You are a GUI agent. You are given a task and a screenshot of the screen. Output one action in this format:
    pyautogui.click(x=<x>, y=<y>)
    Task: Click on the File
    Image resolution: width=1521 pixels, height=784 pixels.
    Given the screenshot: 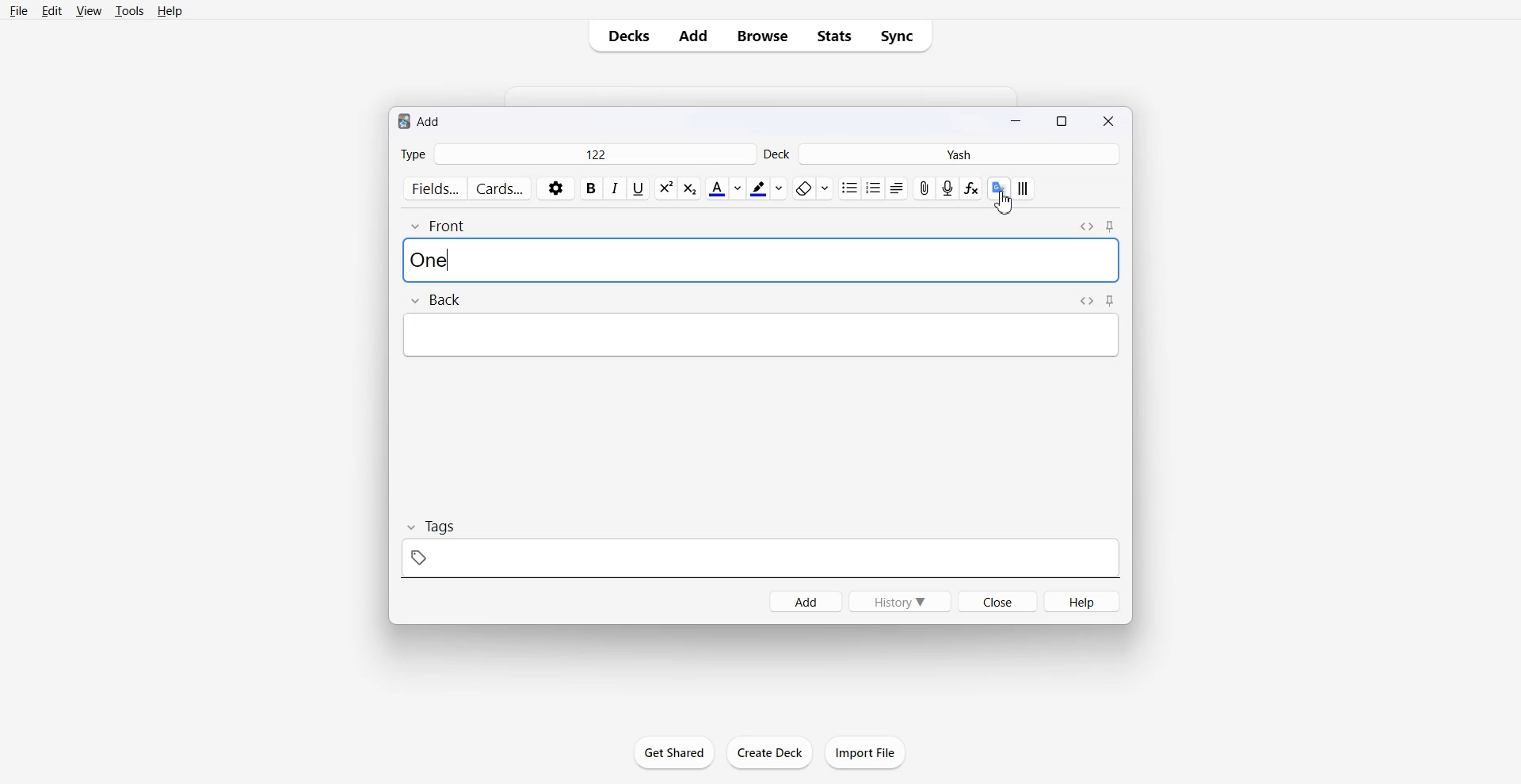 What is the action you would take?
    pyautogui.click(x=20, y=10)
    